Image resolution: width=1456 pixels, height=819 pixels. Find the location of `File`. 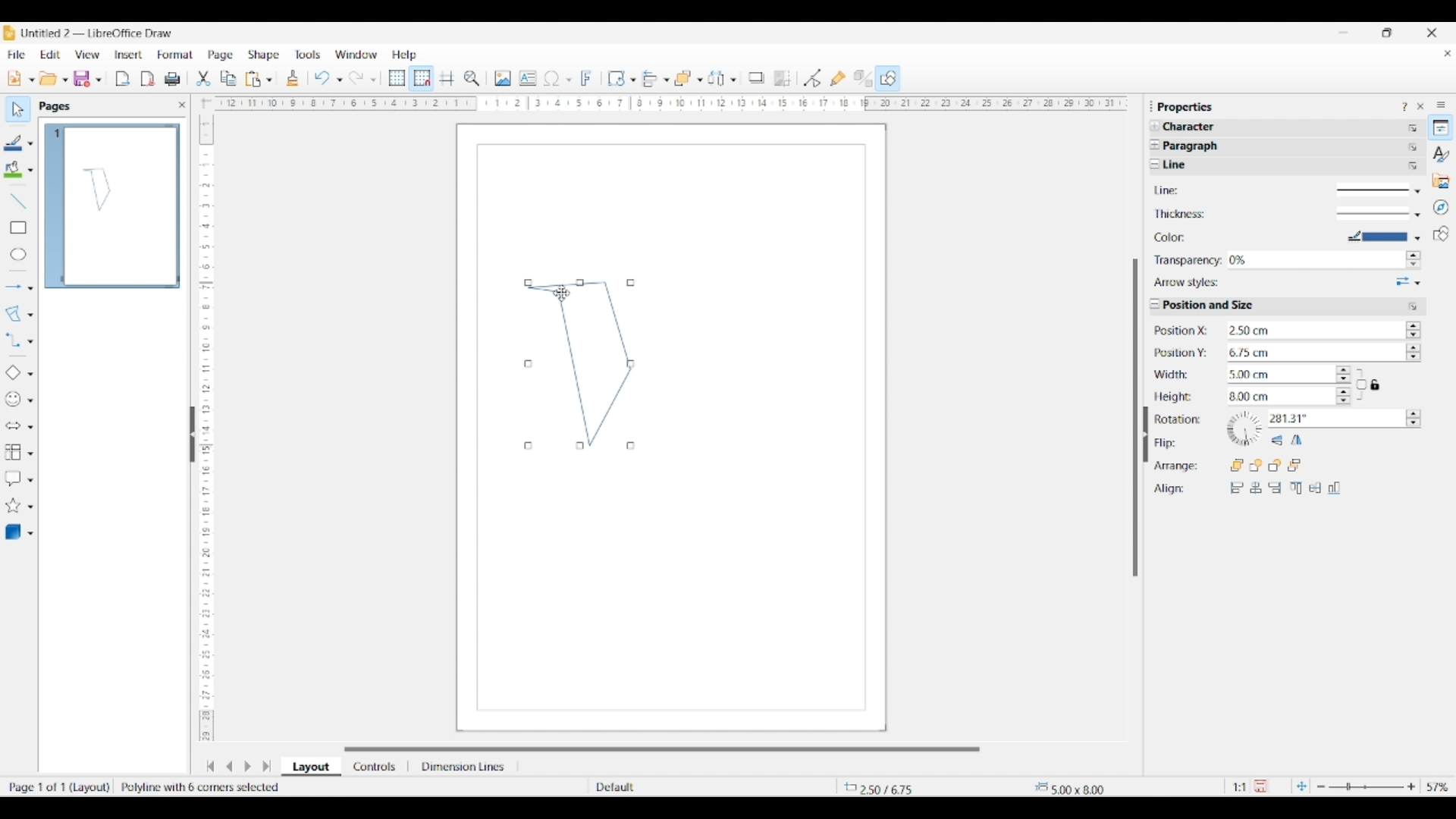

File is located at coordinates (16, 55).